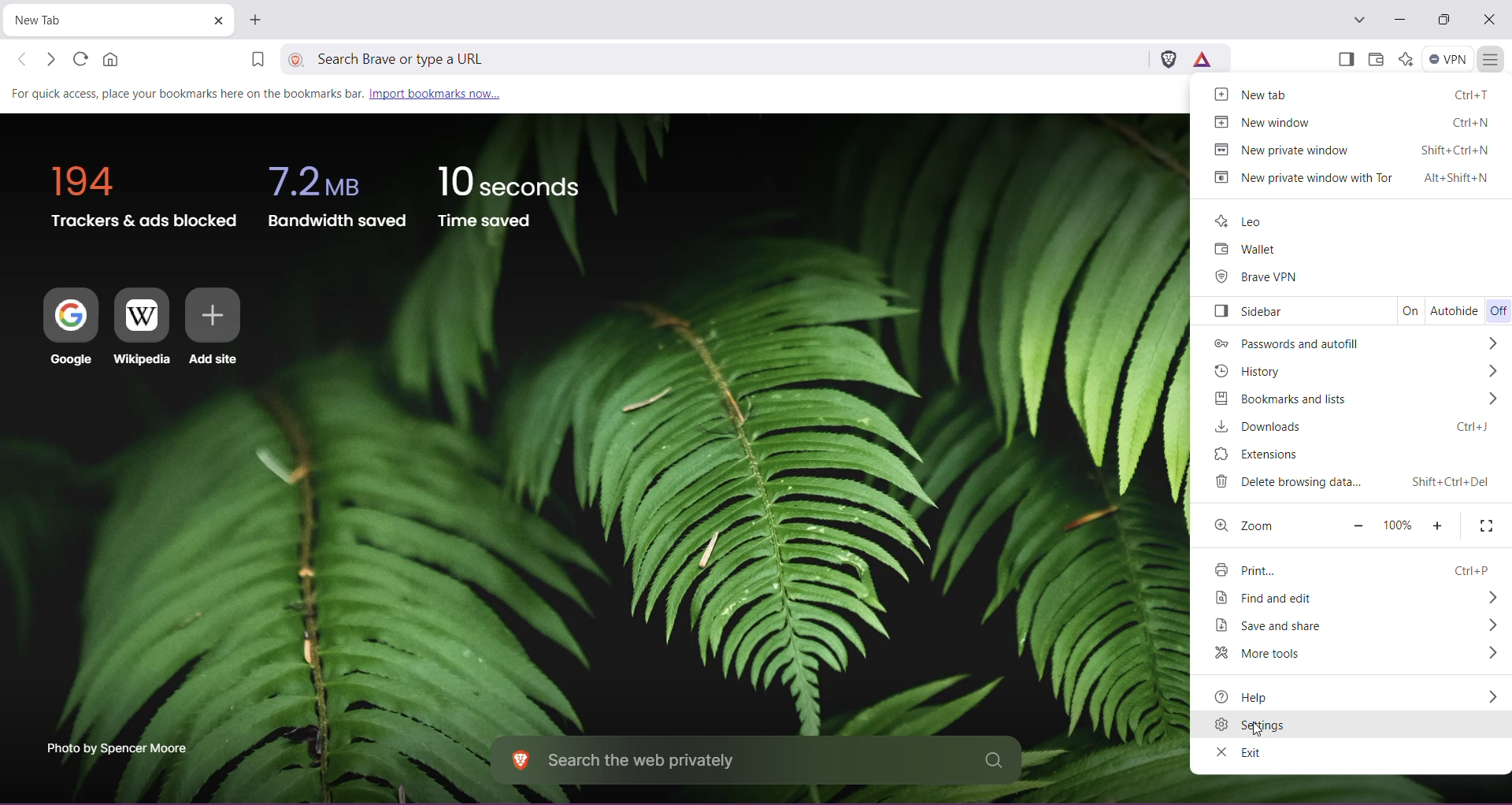  What do you see at coordinates (1347, 149) in the screenshot?
I see `New private window` at bounding box center [1347, 149].